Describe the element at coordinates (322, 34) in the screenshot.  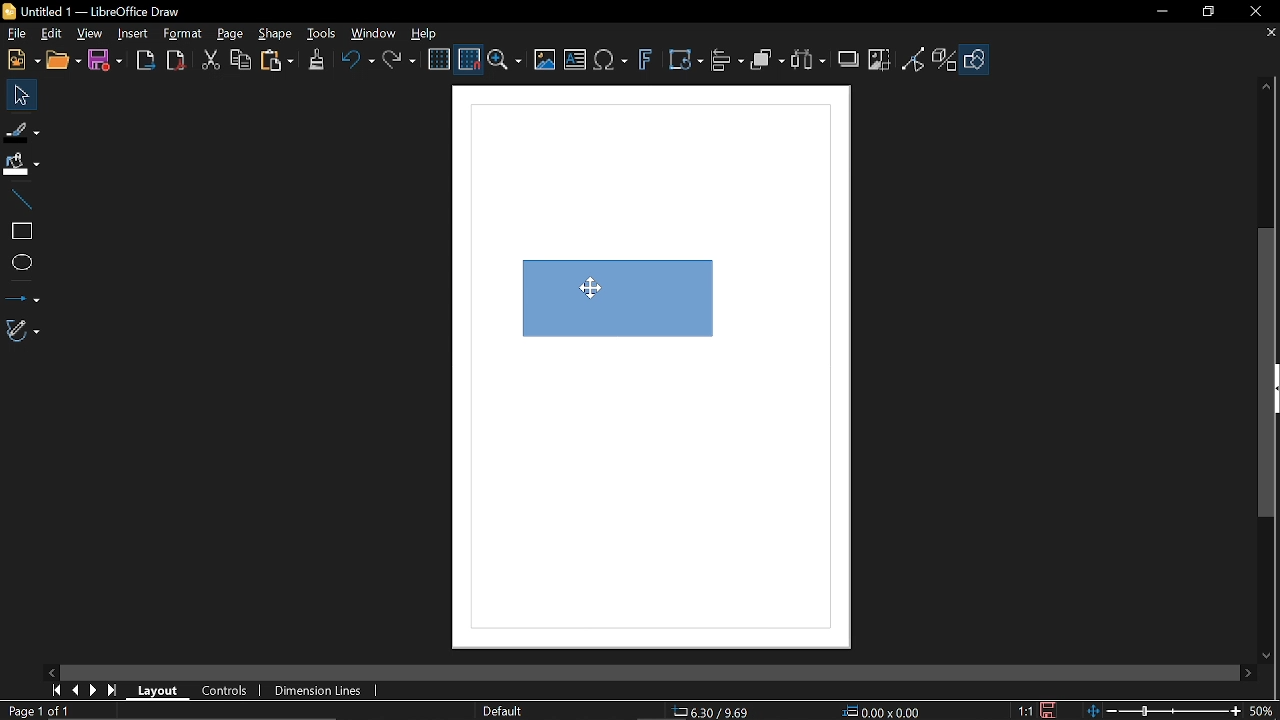
I see `Tools` at that location.